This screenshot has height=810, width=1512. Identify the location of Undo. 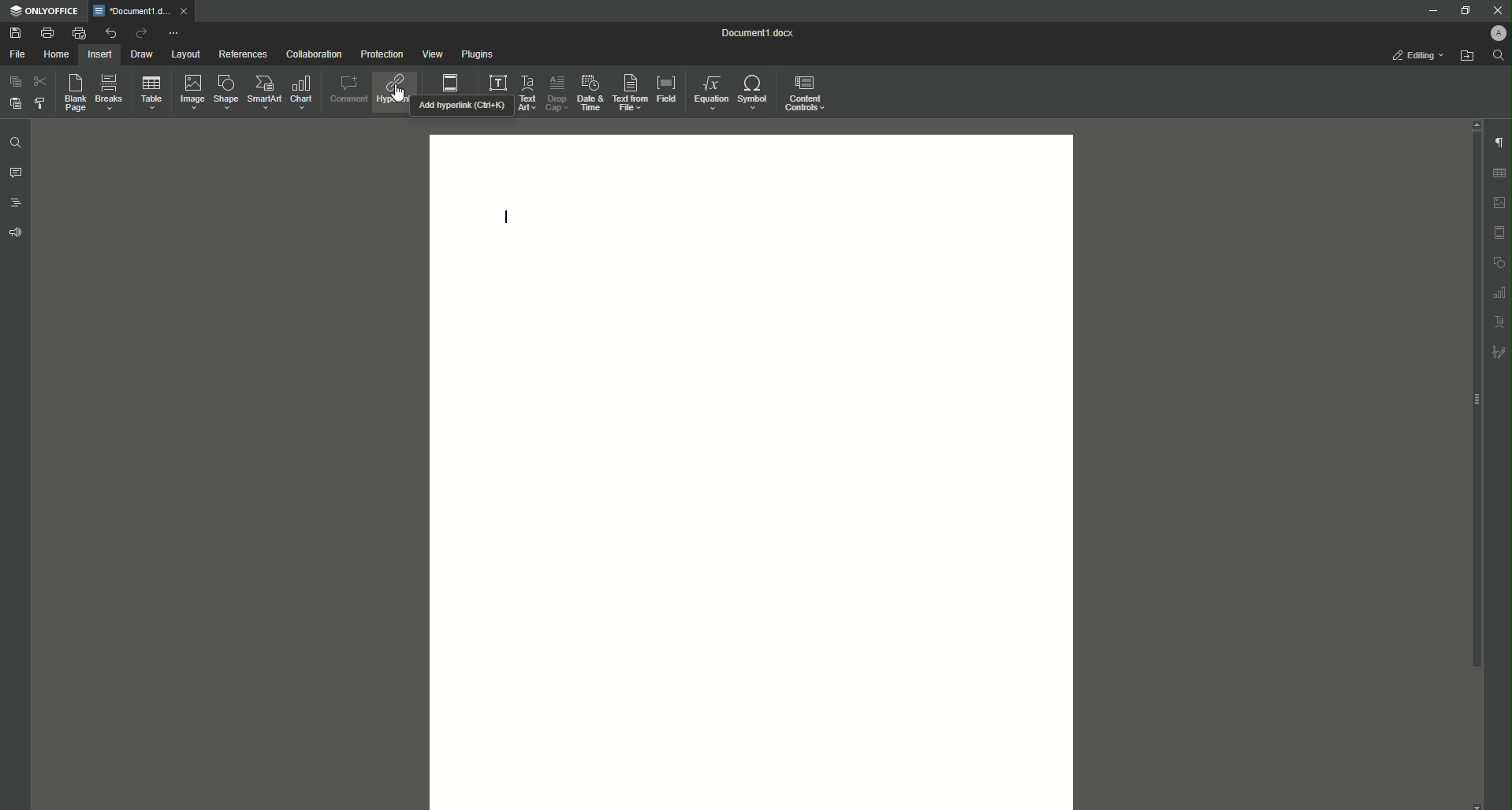
(110, 32).